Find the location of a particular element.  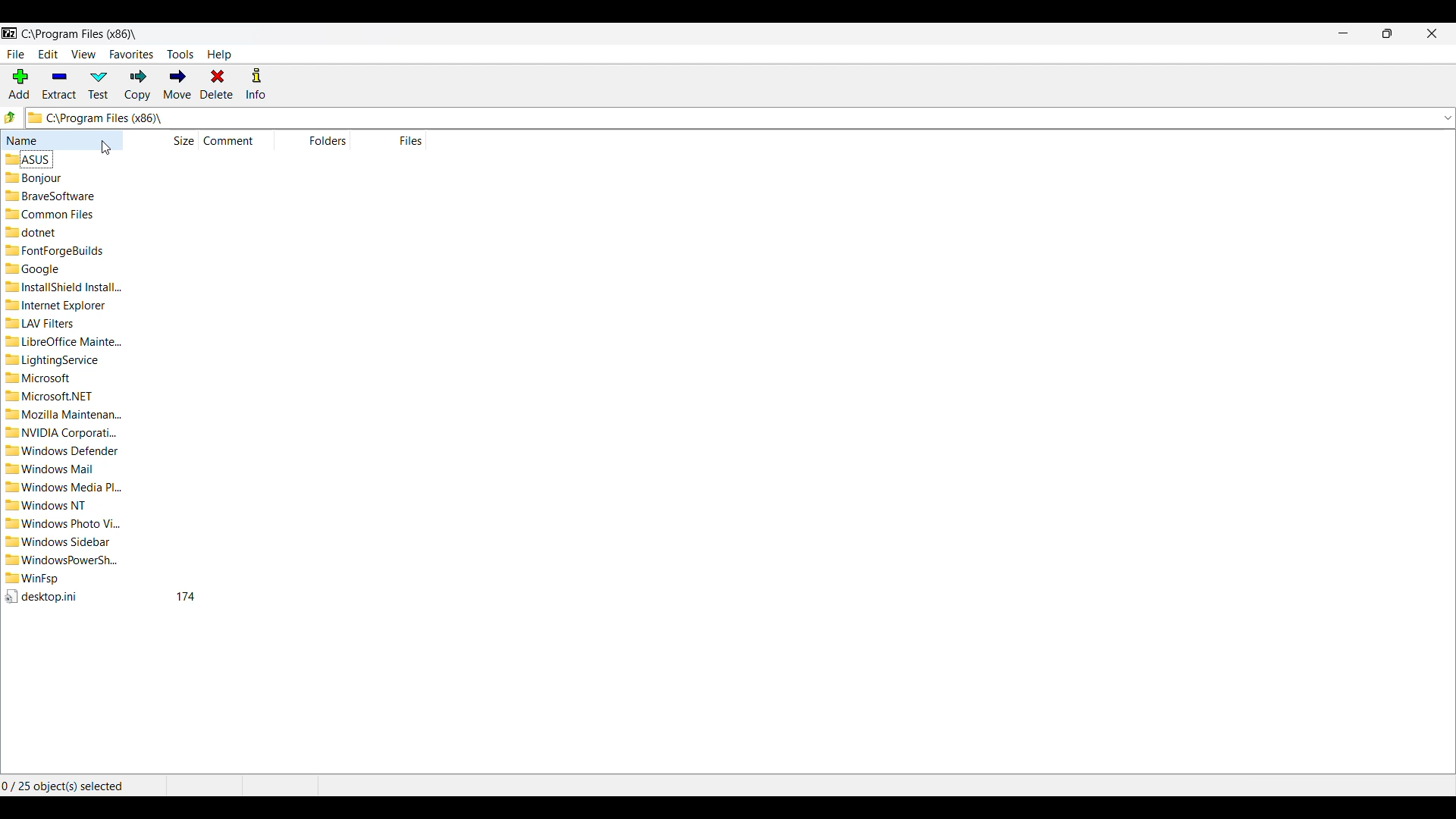

Move is located at coordinates (177, 83).